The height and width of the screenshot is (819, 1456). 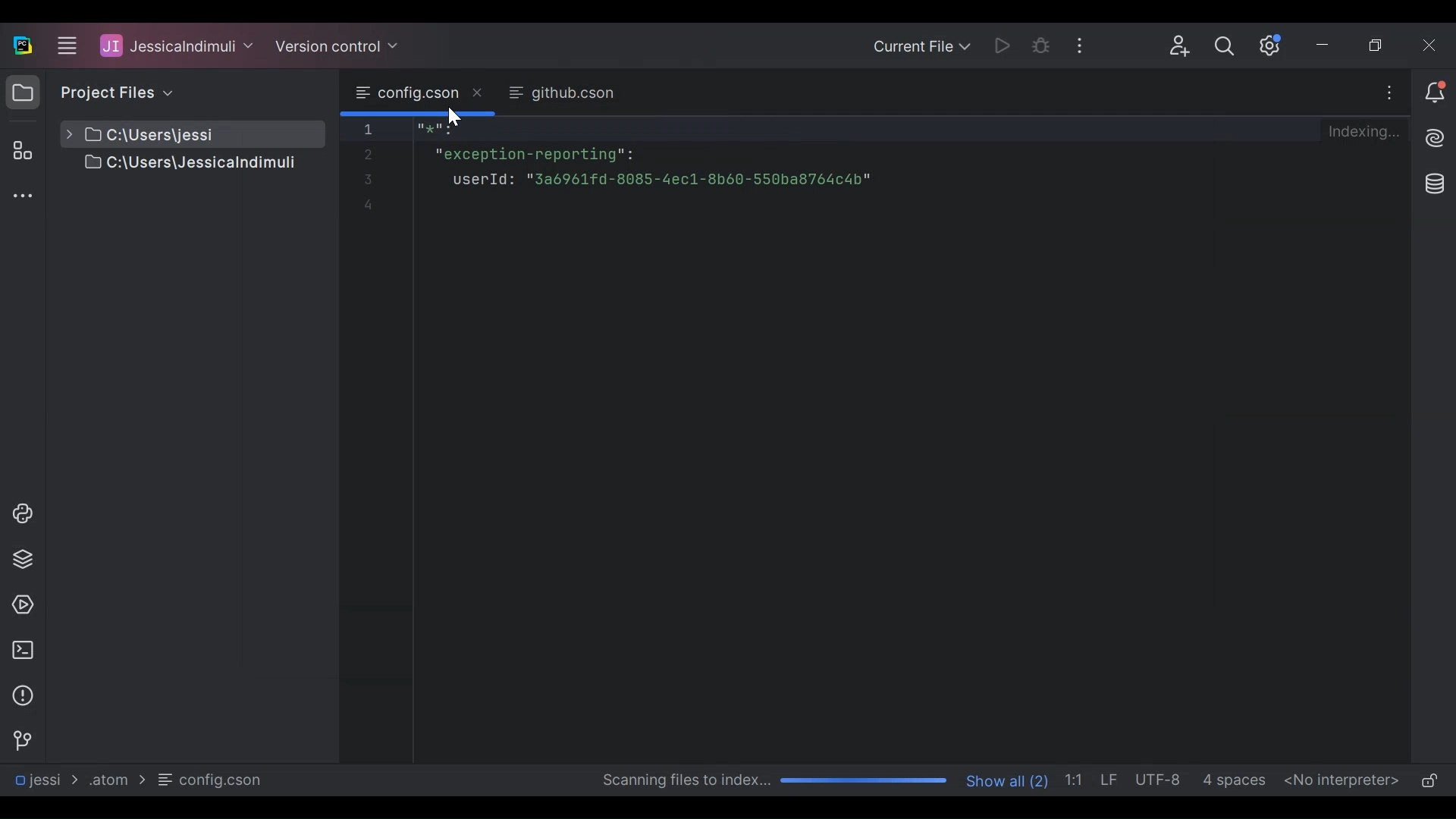 I want to click on Project View, so click(x=23, y=92).